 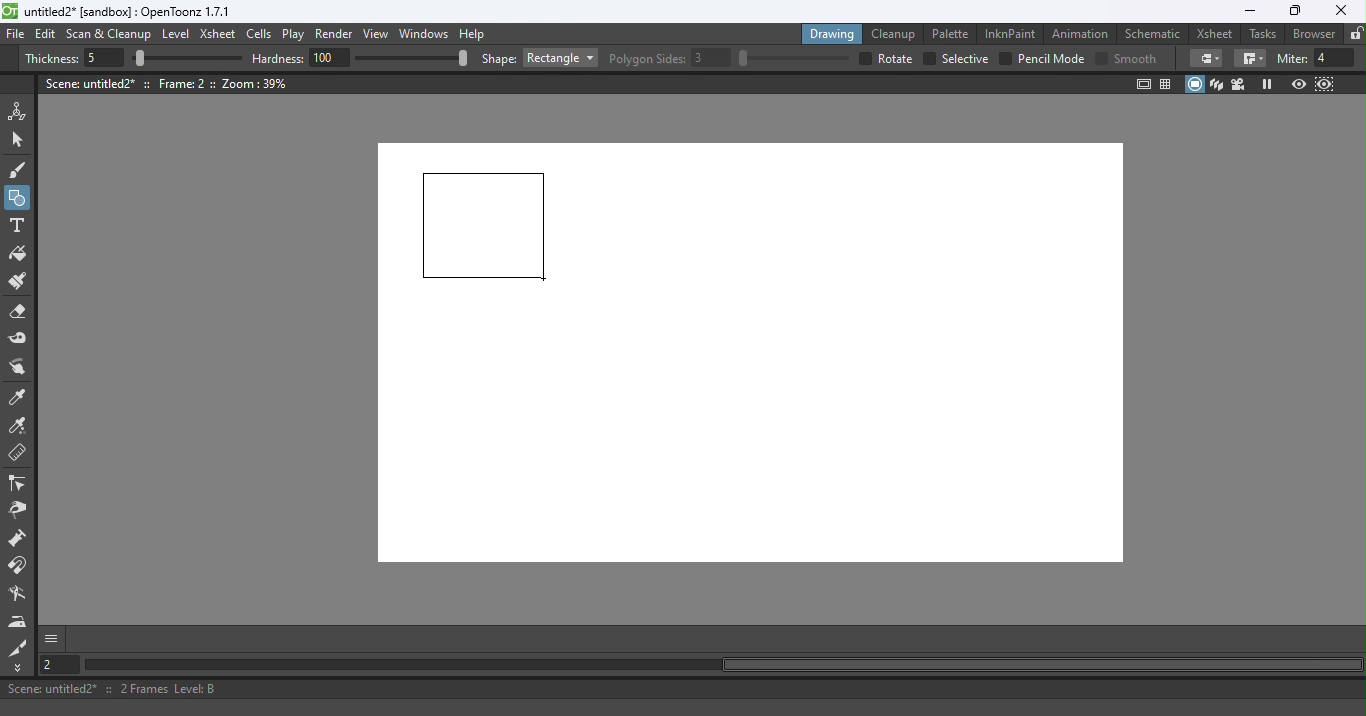 What do you see at coordinates (18, 647) in the screenshot?
I see `Cutter tool` at bounding box center [18, 647].